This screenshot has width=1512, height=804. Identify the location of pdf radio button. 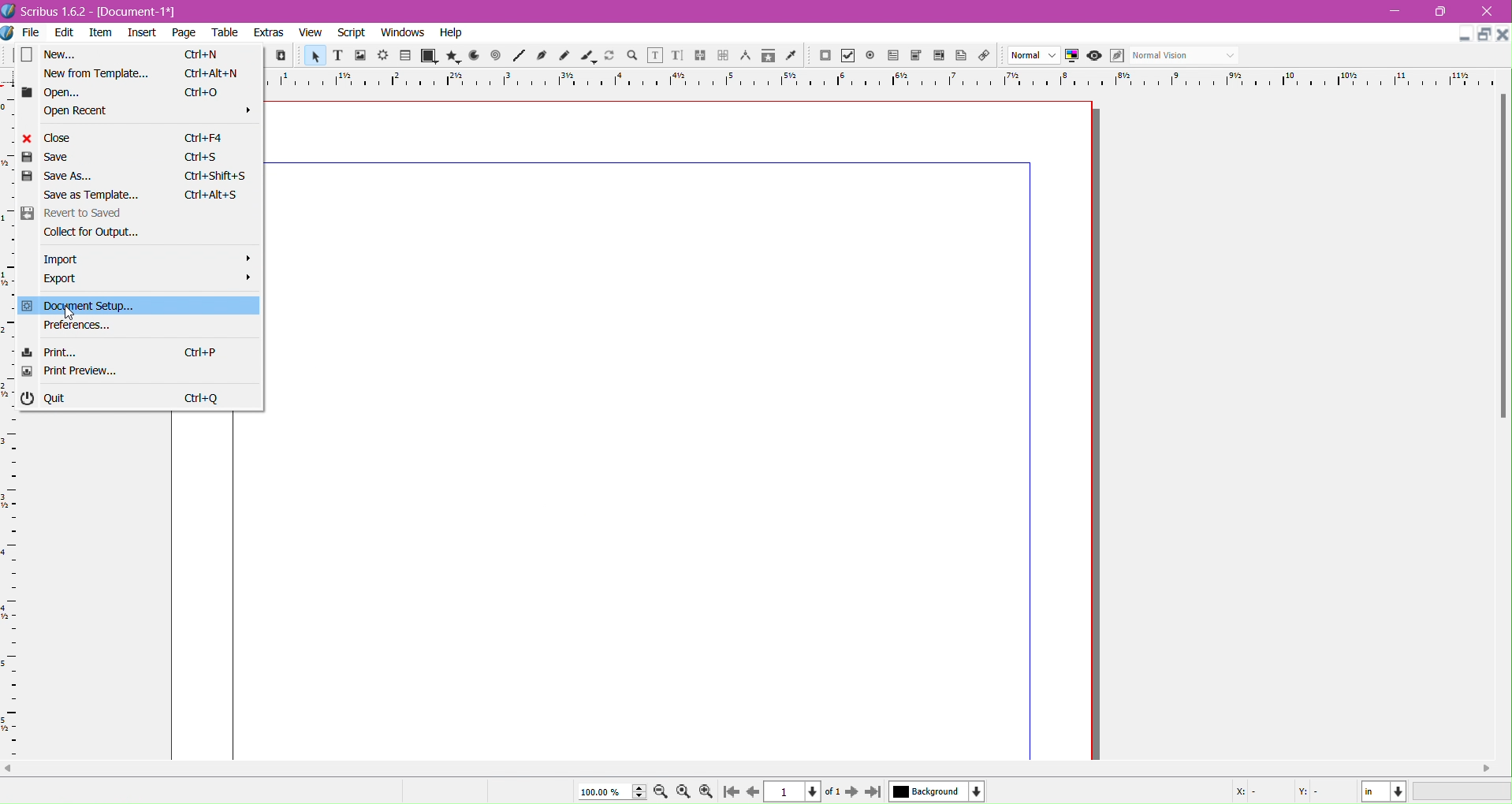
(870, 56).